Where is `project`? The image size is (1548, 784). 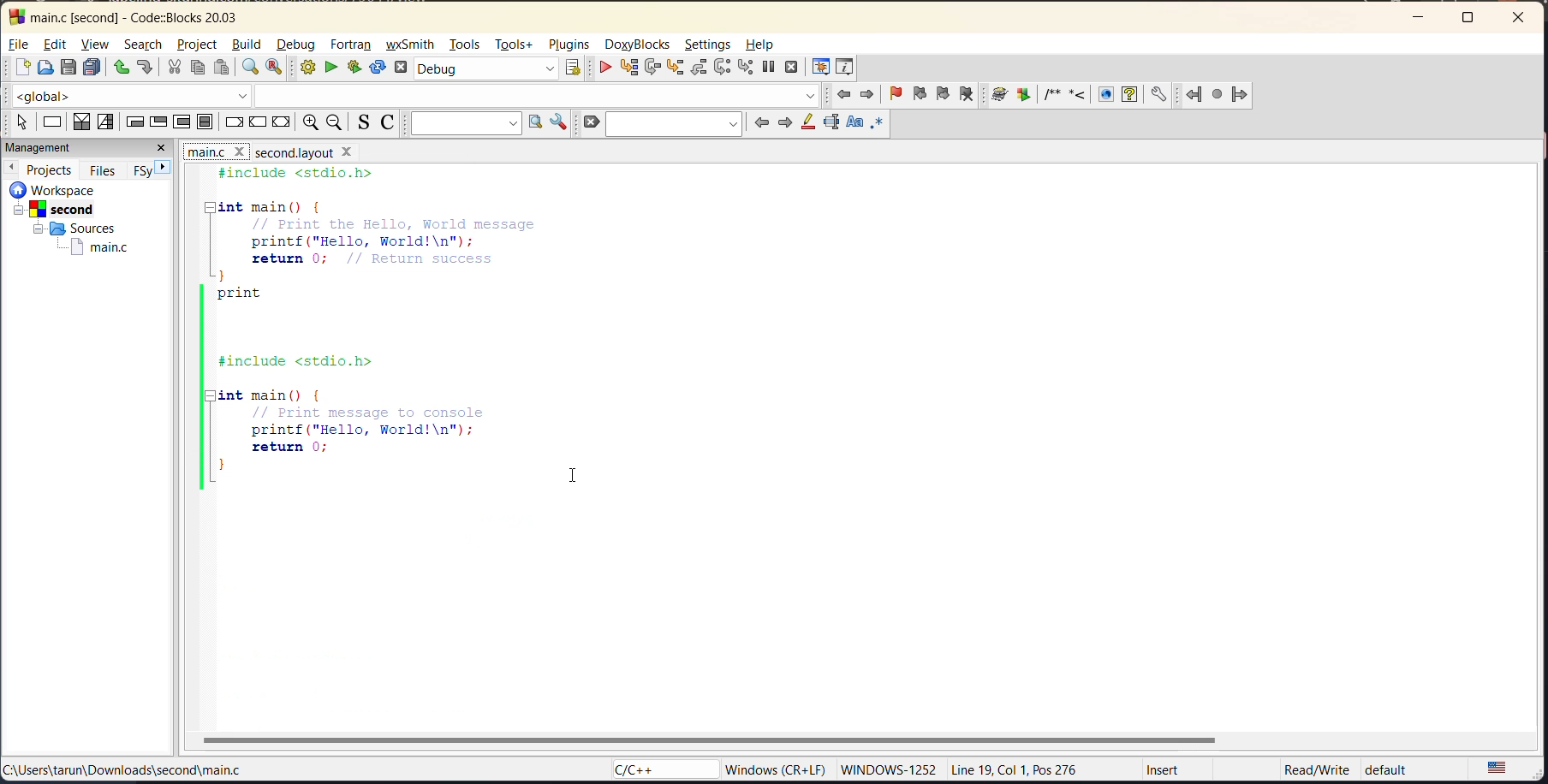
project is located at coordinates (199, 43).